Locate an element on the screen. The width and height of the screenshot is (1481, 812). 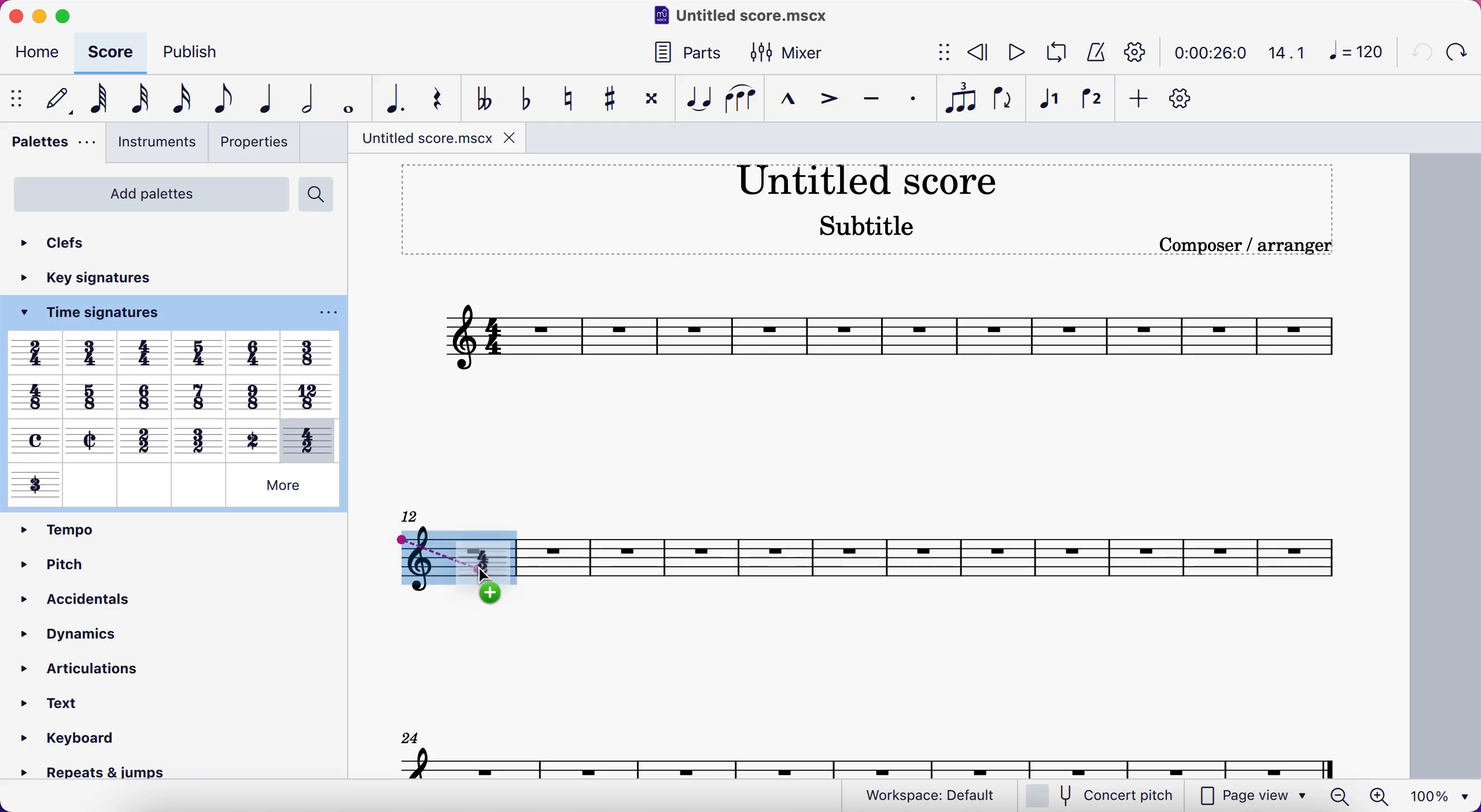
parts is located at coordinates (684, 52).